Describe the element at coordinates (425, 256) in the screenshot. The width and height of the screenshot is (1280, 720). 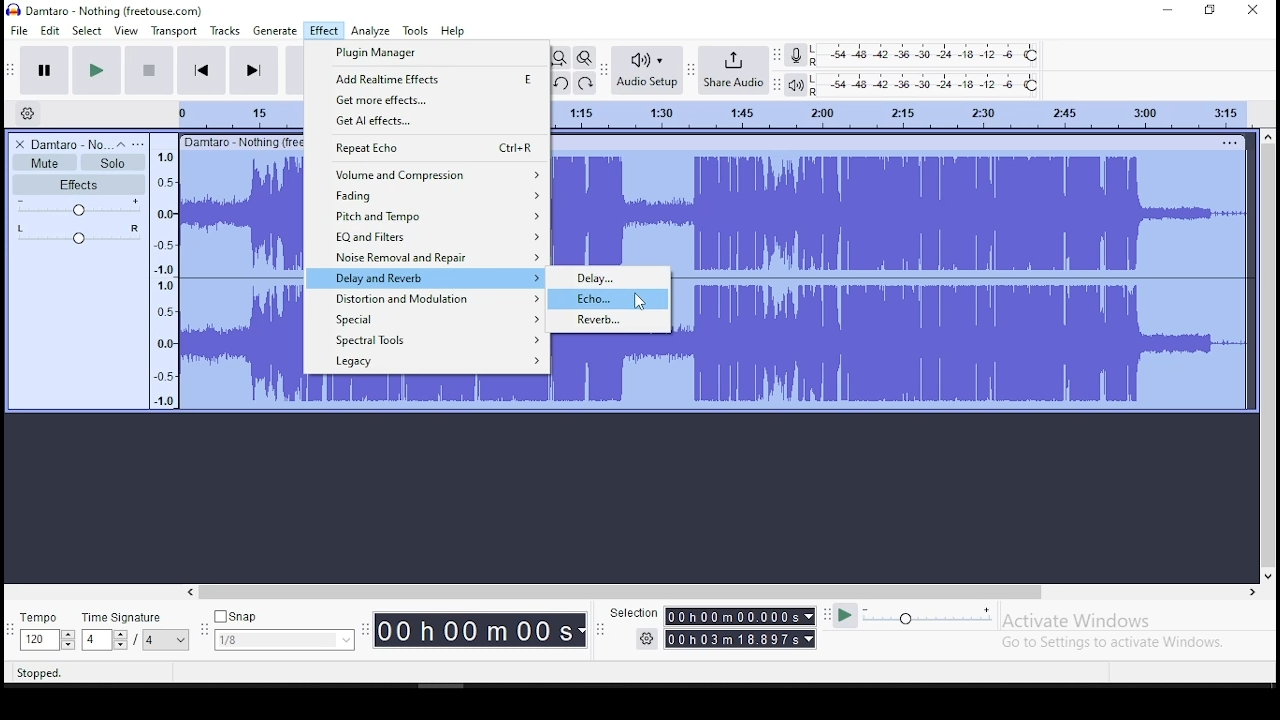
I see `noise removal and repair` at that location.